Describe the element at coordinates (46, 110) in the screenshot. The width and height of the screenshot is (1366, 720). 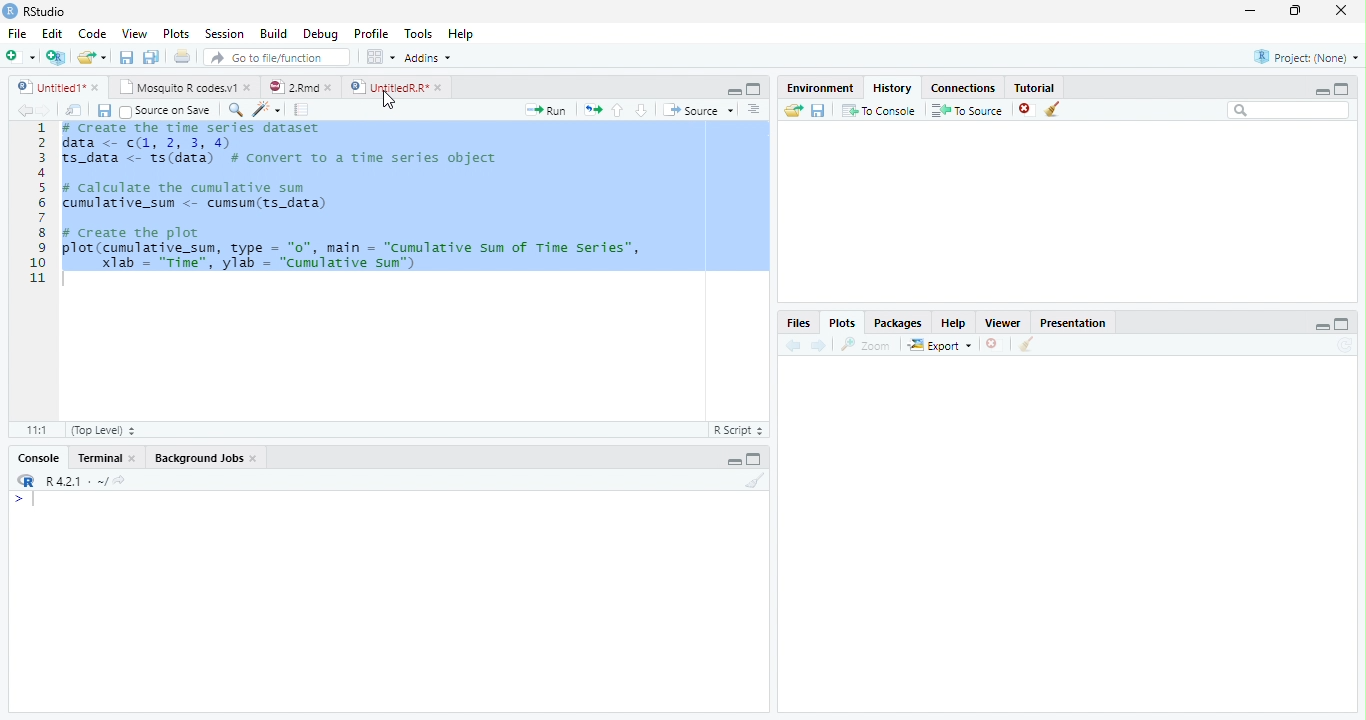
I see `Next` at that location.